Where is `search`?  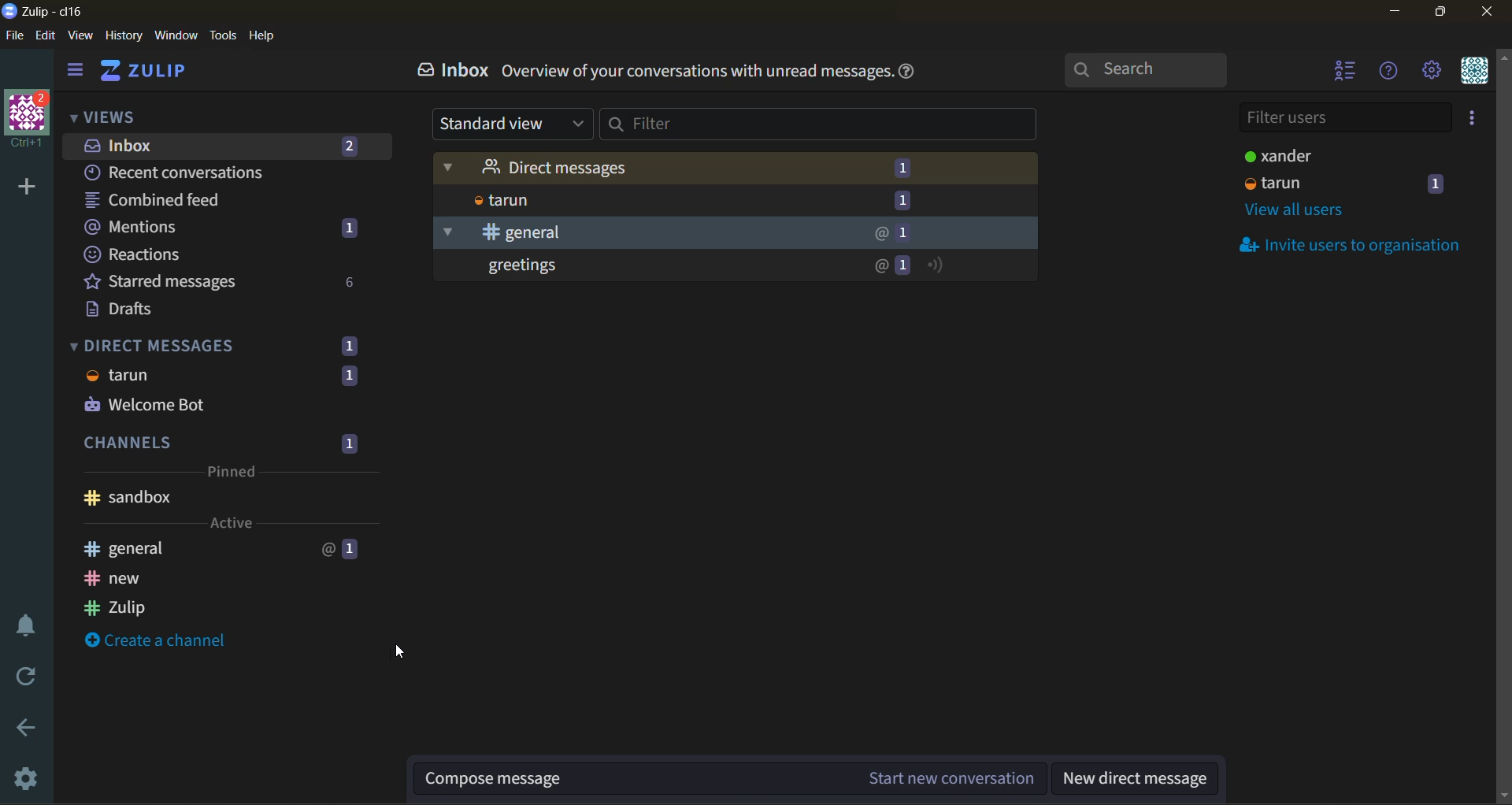 search is located at coordinates (1143, 72).